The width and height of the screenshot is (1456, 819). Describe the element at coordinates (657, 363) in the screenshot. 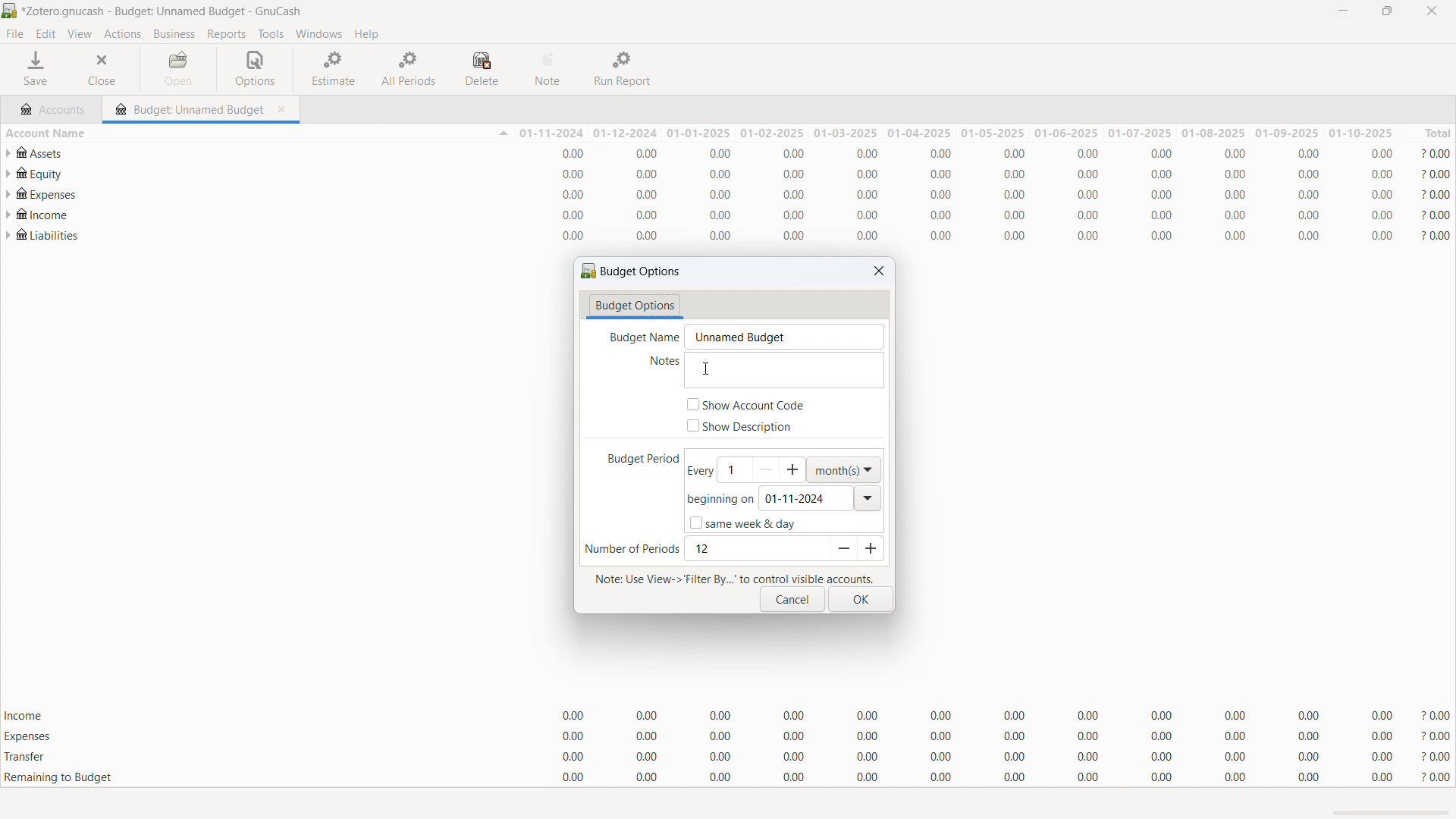

I see `notes` at that location.